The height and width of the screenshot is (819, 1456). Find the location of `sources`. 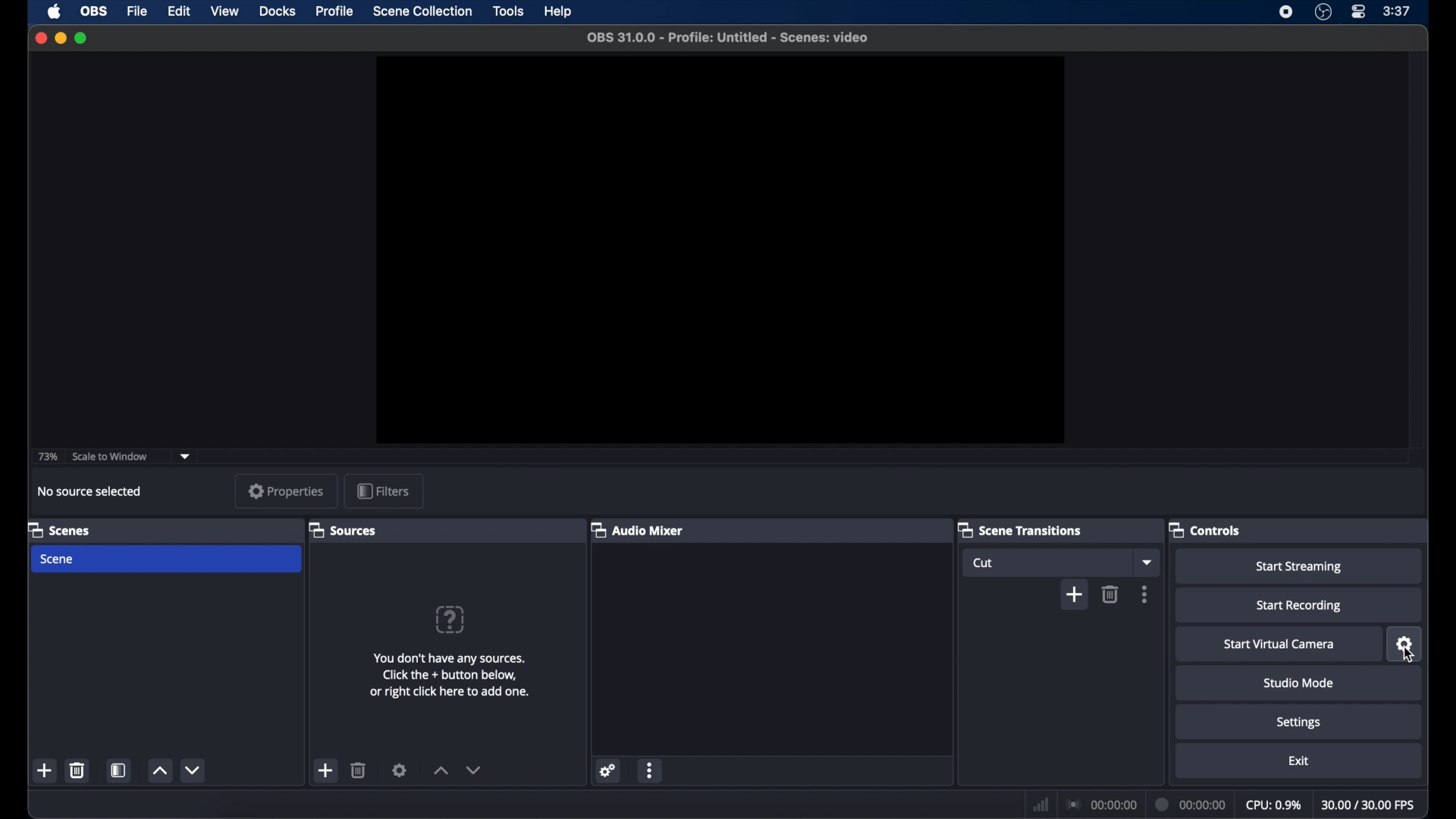

sources is located at coordinates (342, 530).